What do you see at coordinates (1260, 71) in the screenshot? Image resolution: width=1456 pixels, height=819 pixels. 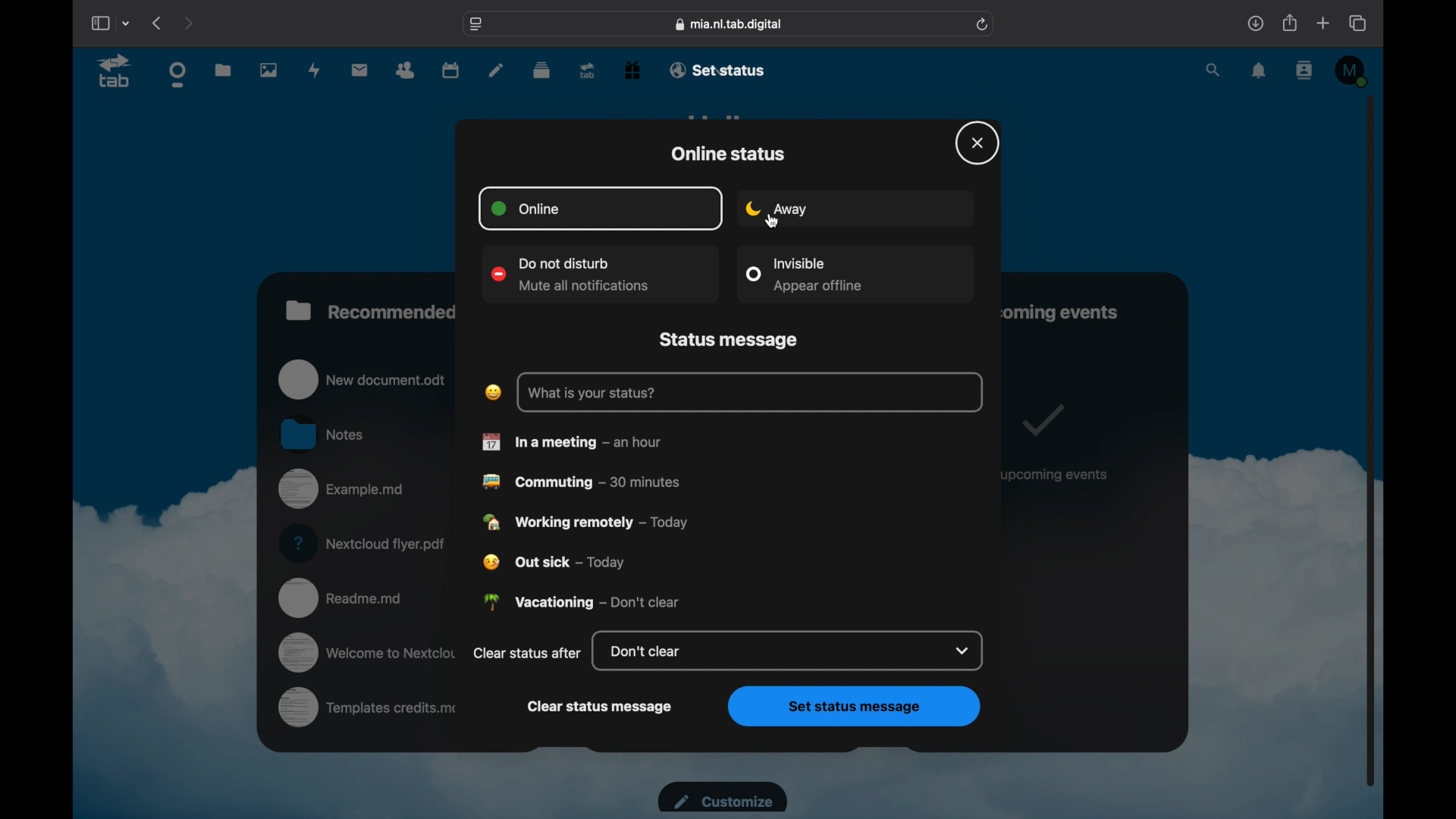 I see `notifications` at bounding box center [1260, 71].